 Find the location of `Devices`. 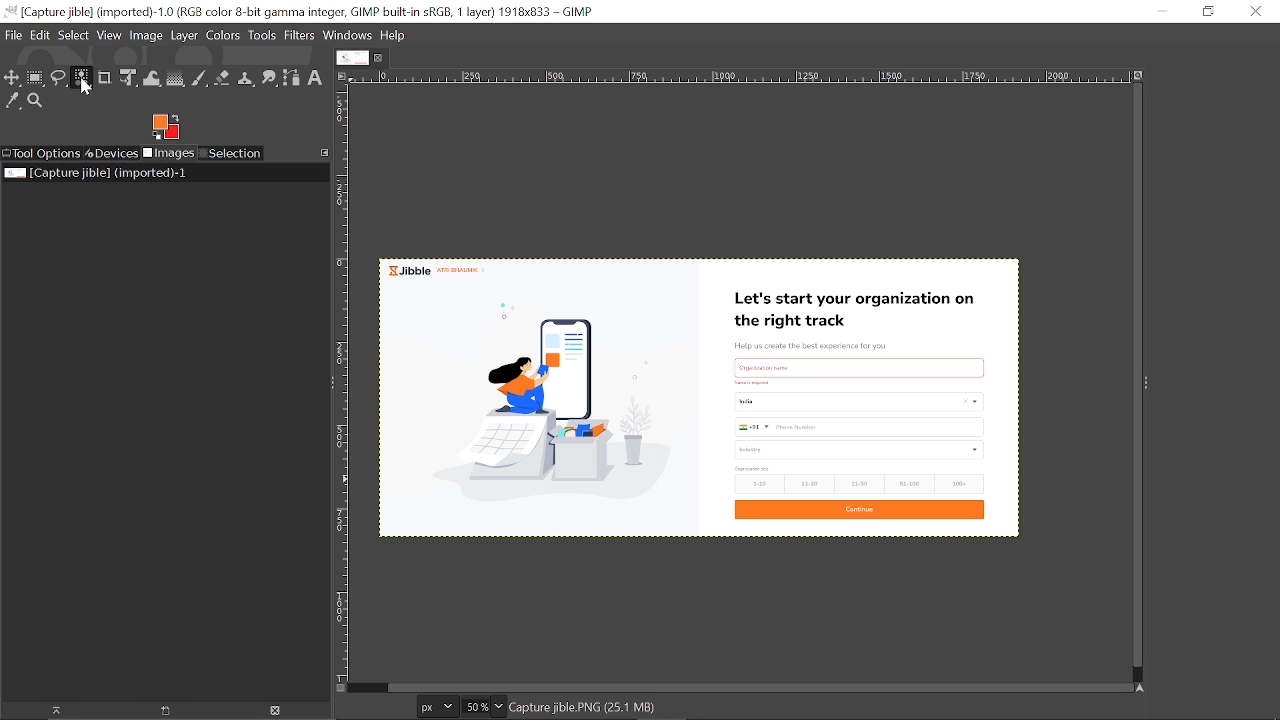

Devices is located at coordinates (111, 154).